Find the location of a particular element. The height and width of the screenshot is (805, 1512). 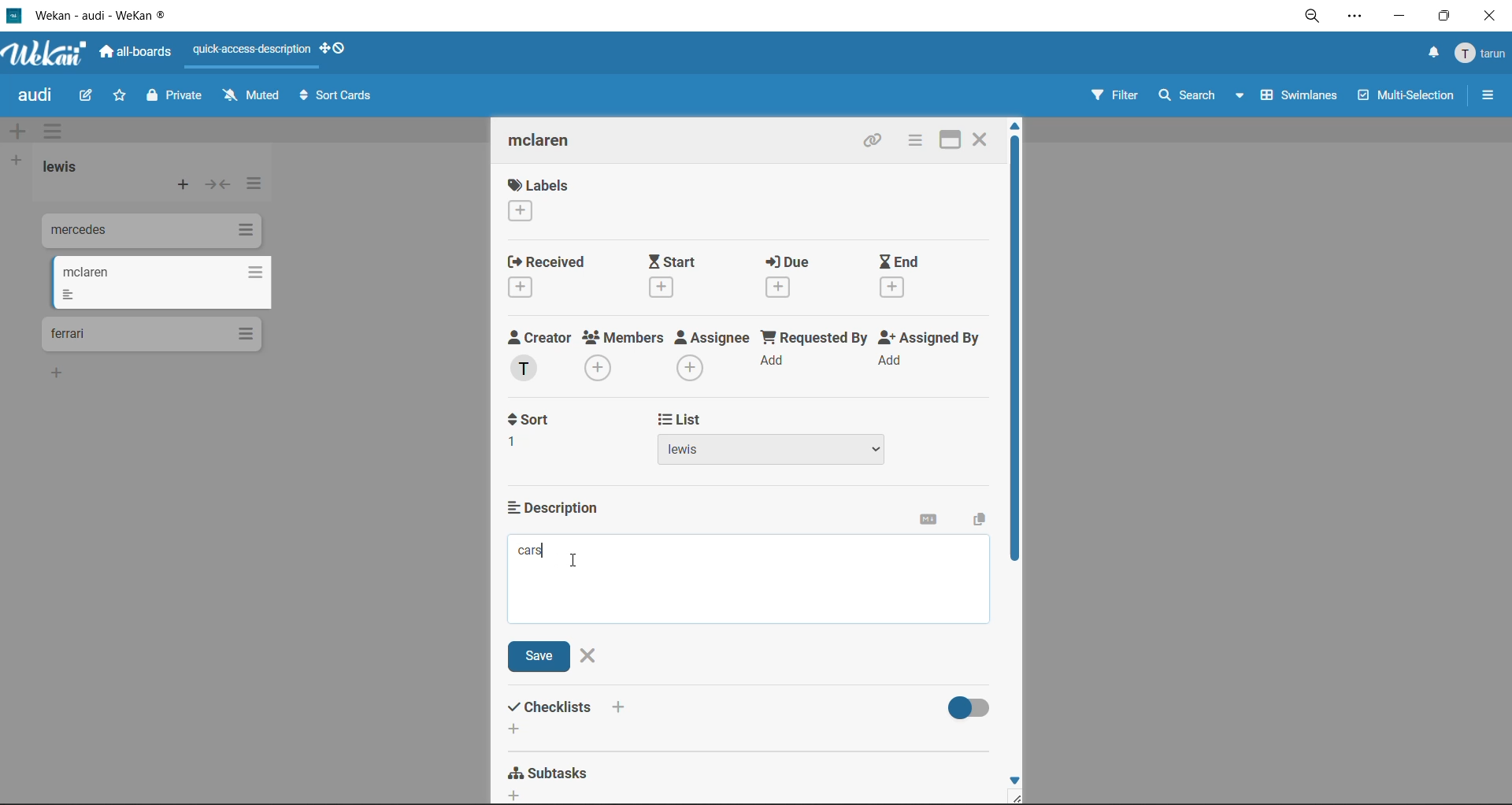

multiselection is located at coordinates (1403, 97).